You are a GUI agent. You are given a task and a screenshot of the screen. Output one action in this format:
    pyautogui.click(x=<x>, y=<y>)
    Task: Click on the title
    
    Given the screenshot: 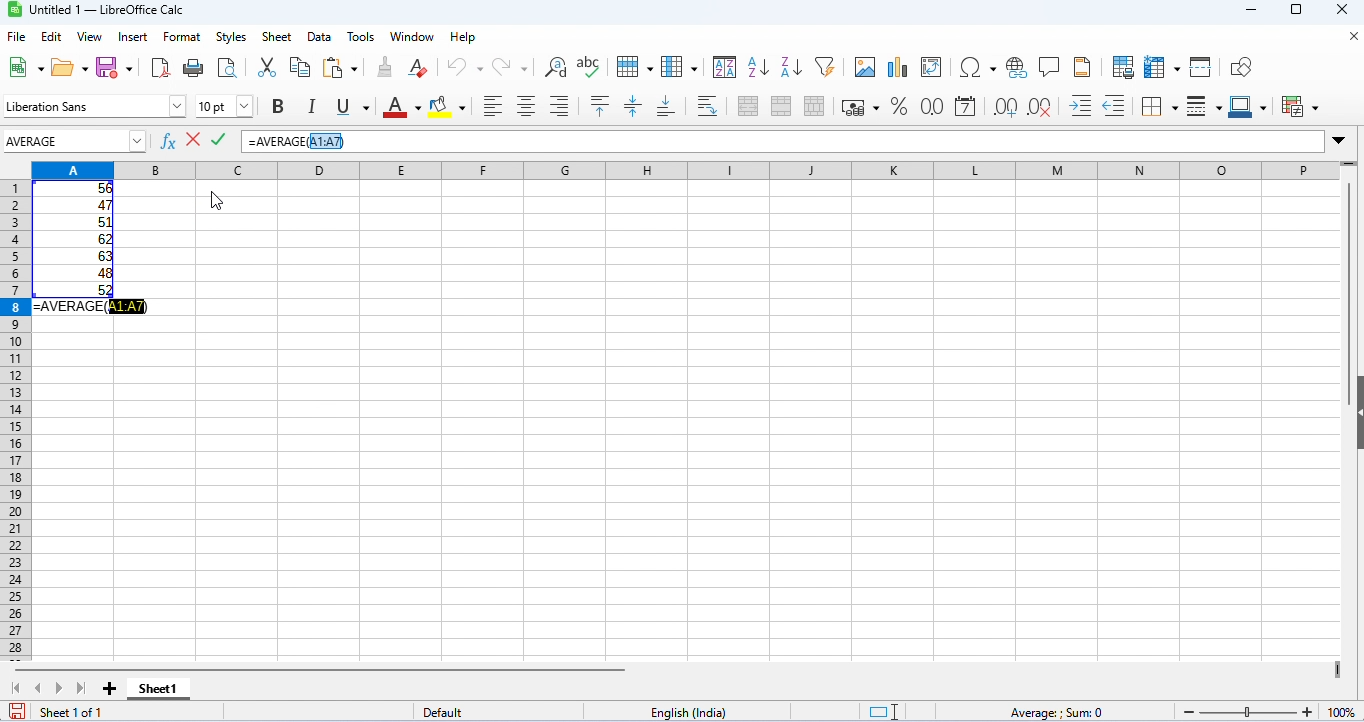 What is the action you would take?
    pyautogui.click(x=101, y=10)
    